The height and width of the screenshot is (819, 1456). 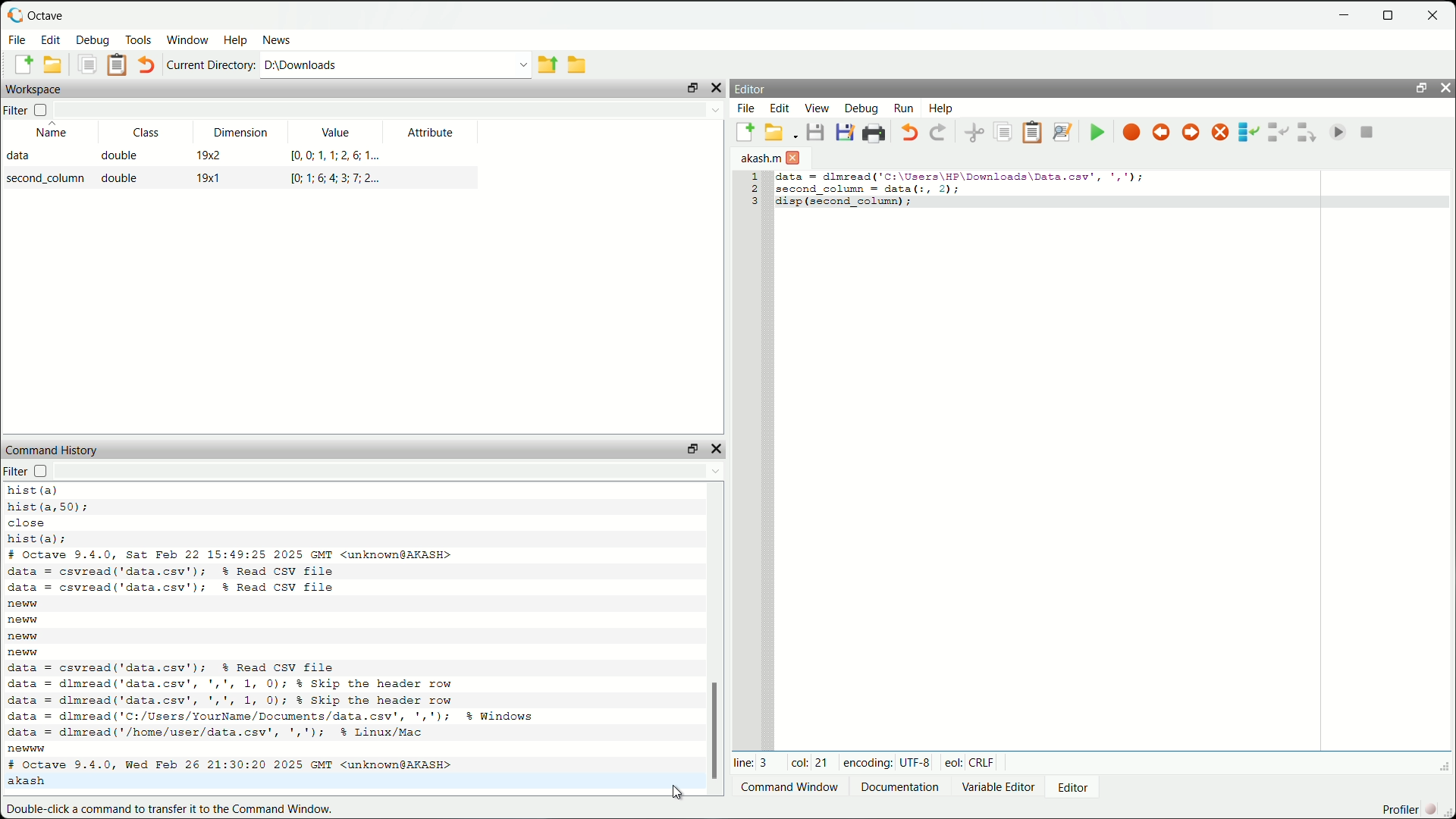 What do you see at coordinates (1437, 11) in the screenshot?
I see `close` at bounding box center [1437, 11].